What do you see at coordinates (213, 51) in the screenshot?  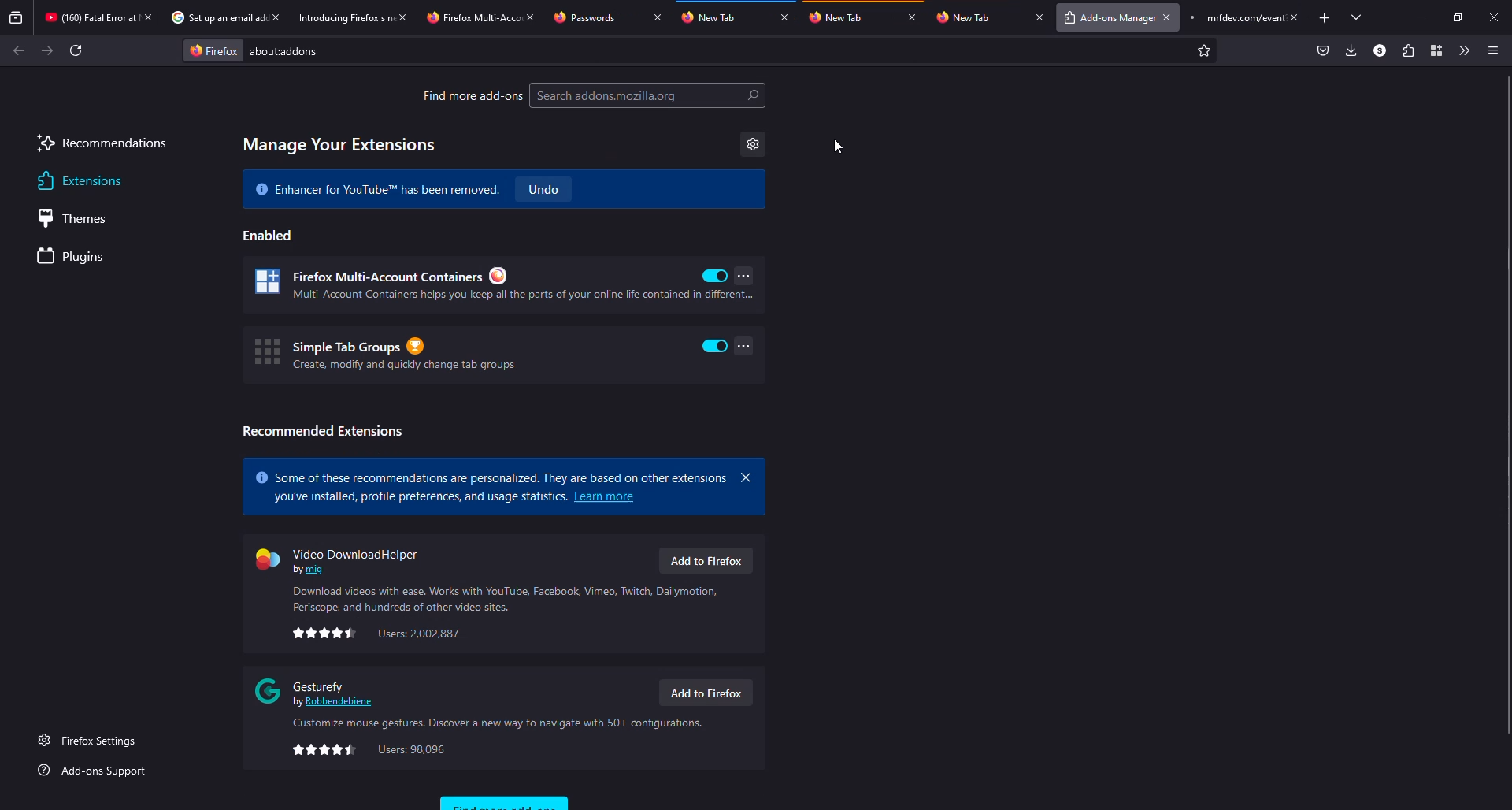 I see `Current search engine` at bounding box center [213, 51].